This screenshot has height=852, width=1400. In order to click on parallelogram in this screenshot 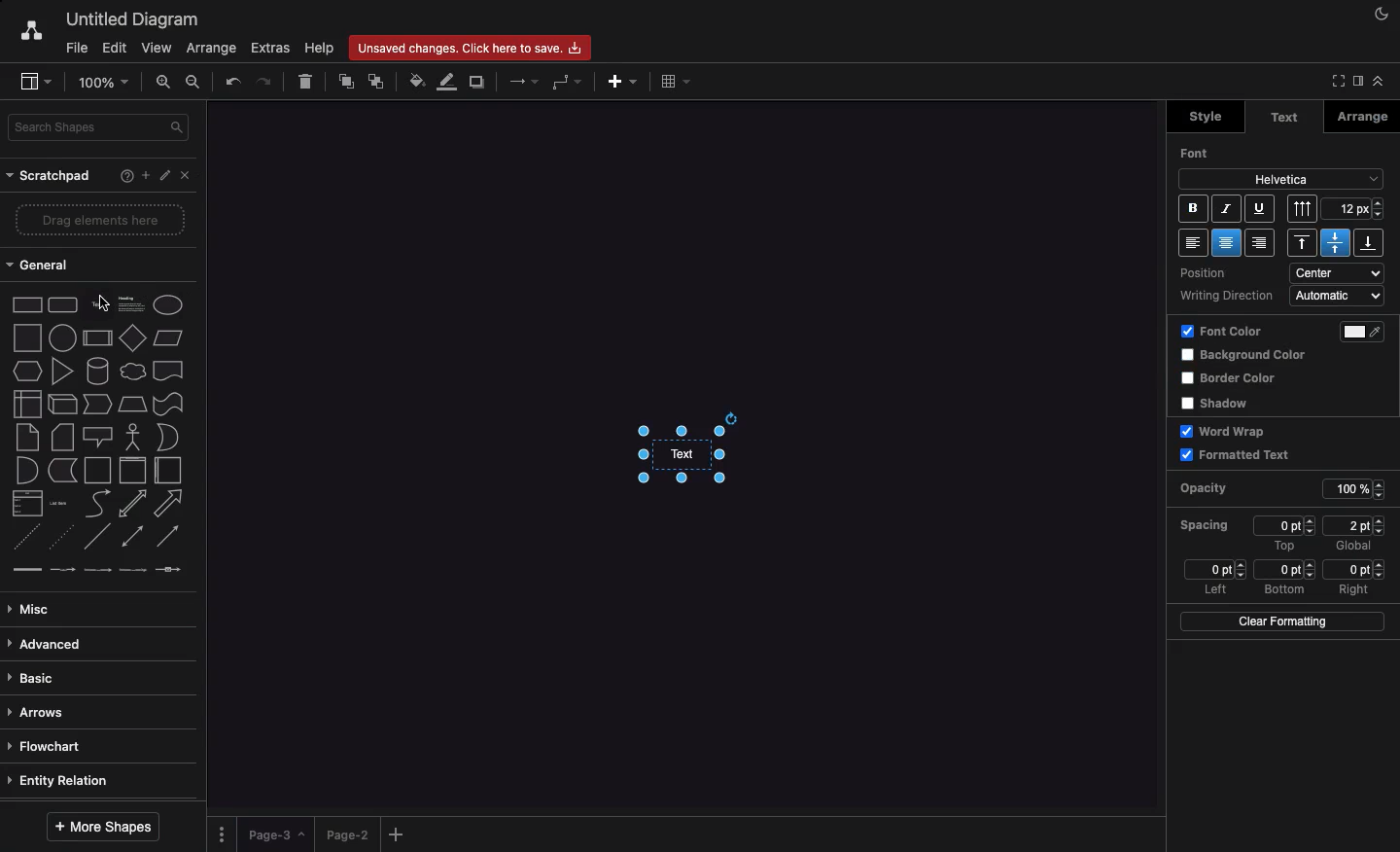, I will do `click(168, 337)`.